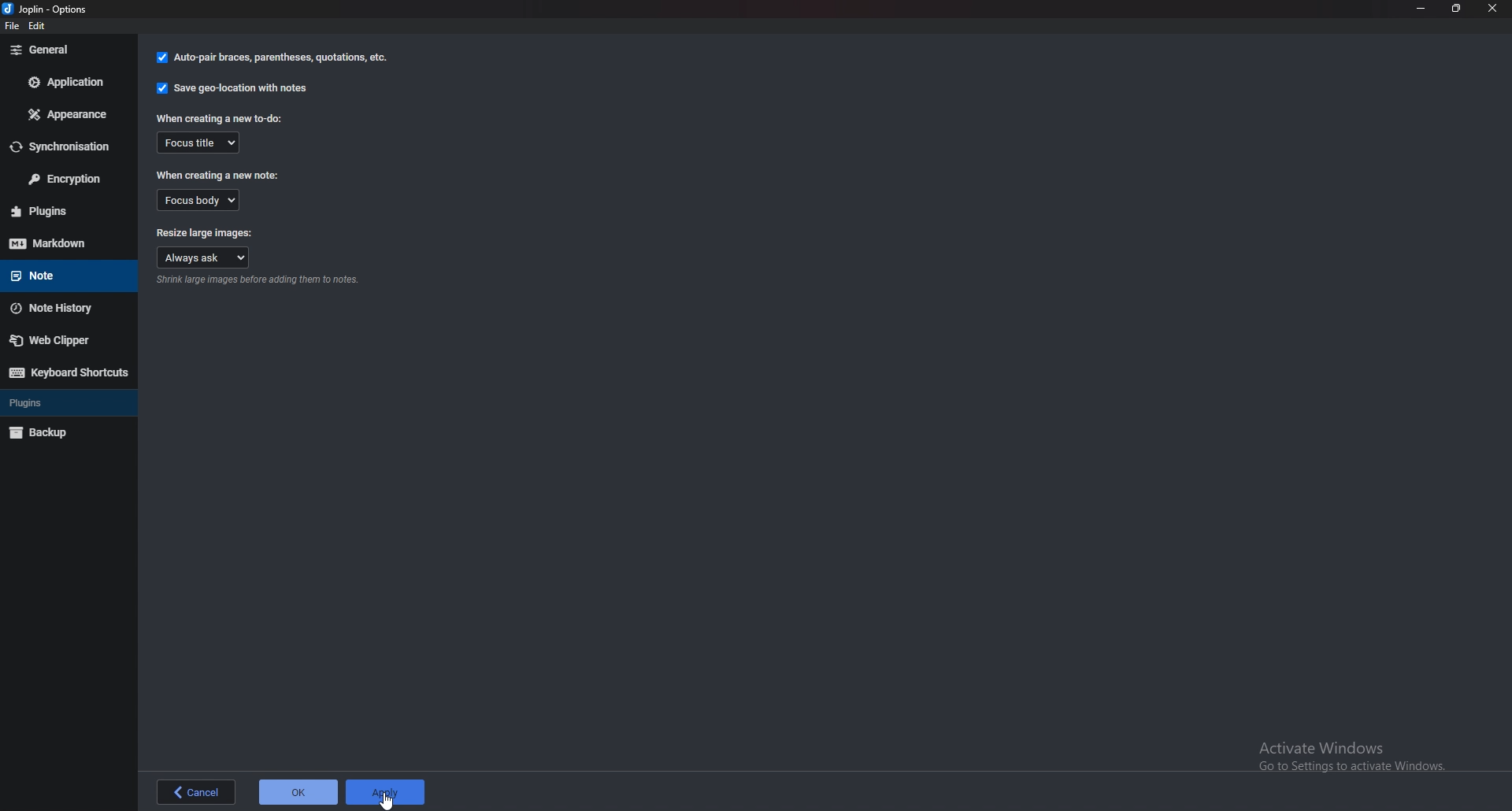 This screenshot has width=1512, height=811. Describe the element at coordinates (49, 10) in the screenshot. I see `options` at that location.